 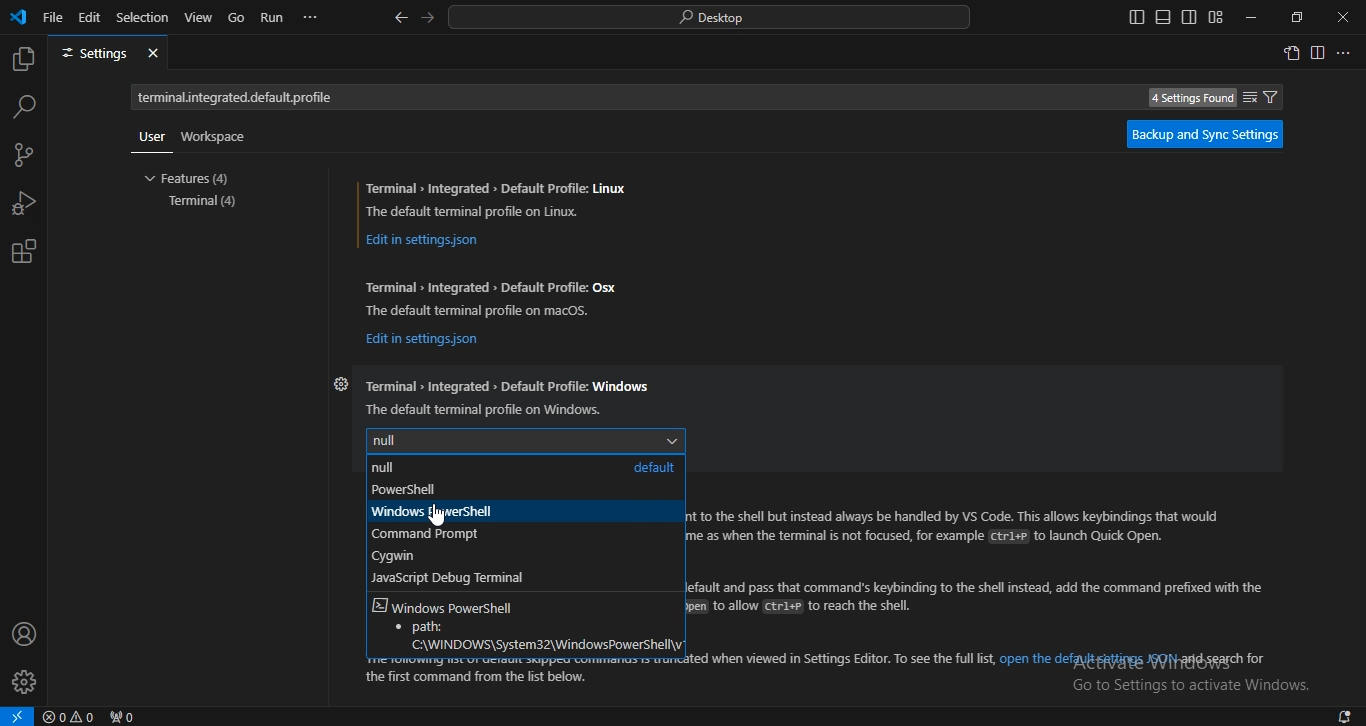 I want to click on Terminal Integrated > Default Profile: Windows
The default terminal profile on Windows., so click(x=509, y=395).